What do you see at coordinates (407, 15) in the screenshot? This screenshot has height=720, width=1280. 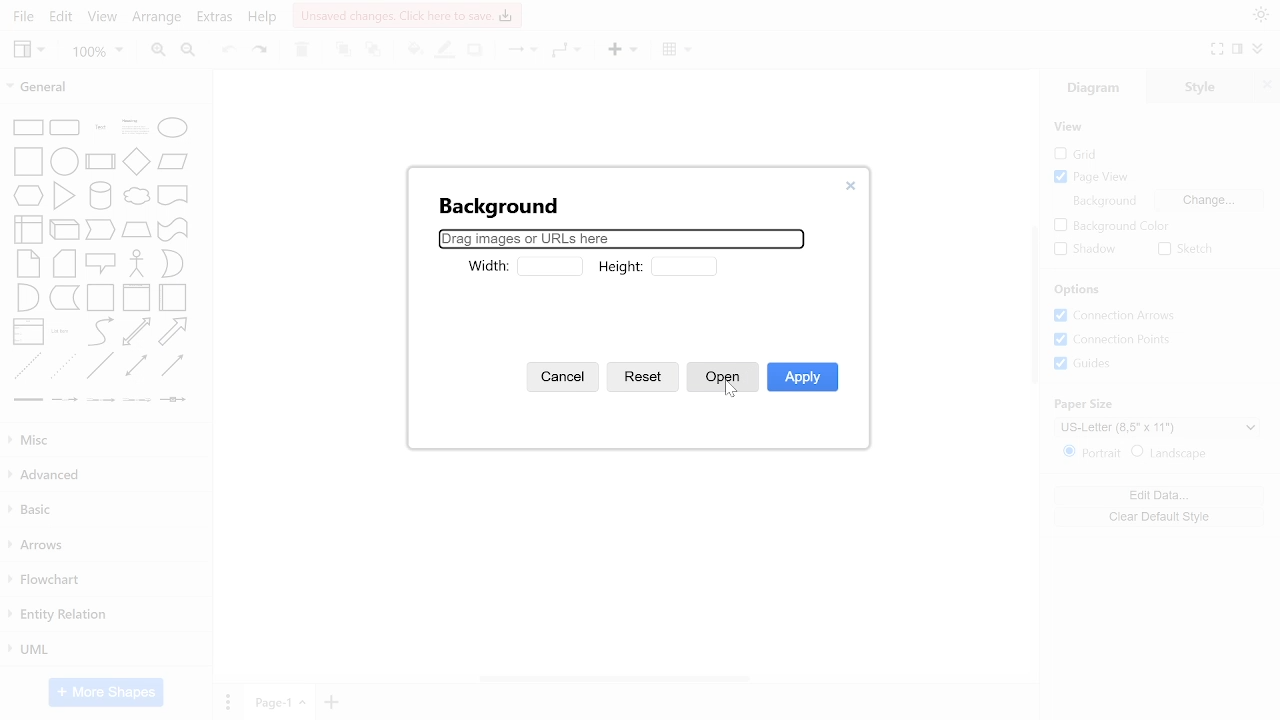 I see `unsaved changes. Click here to save` at bounding box center [407, 15].